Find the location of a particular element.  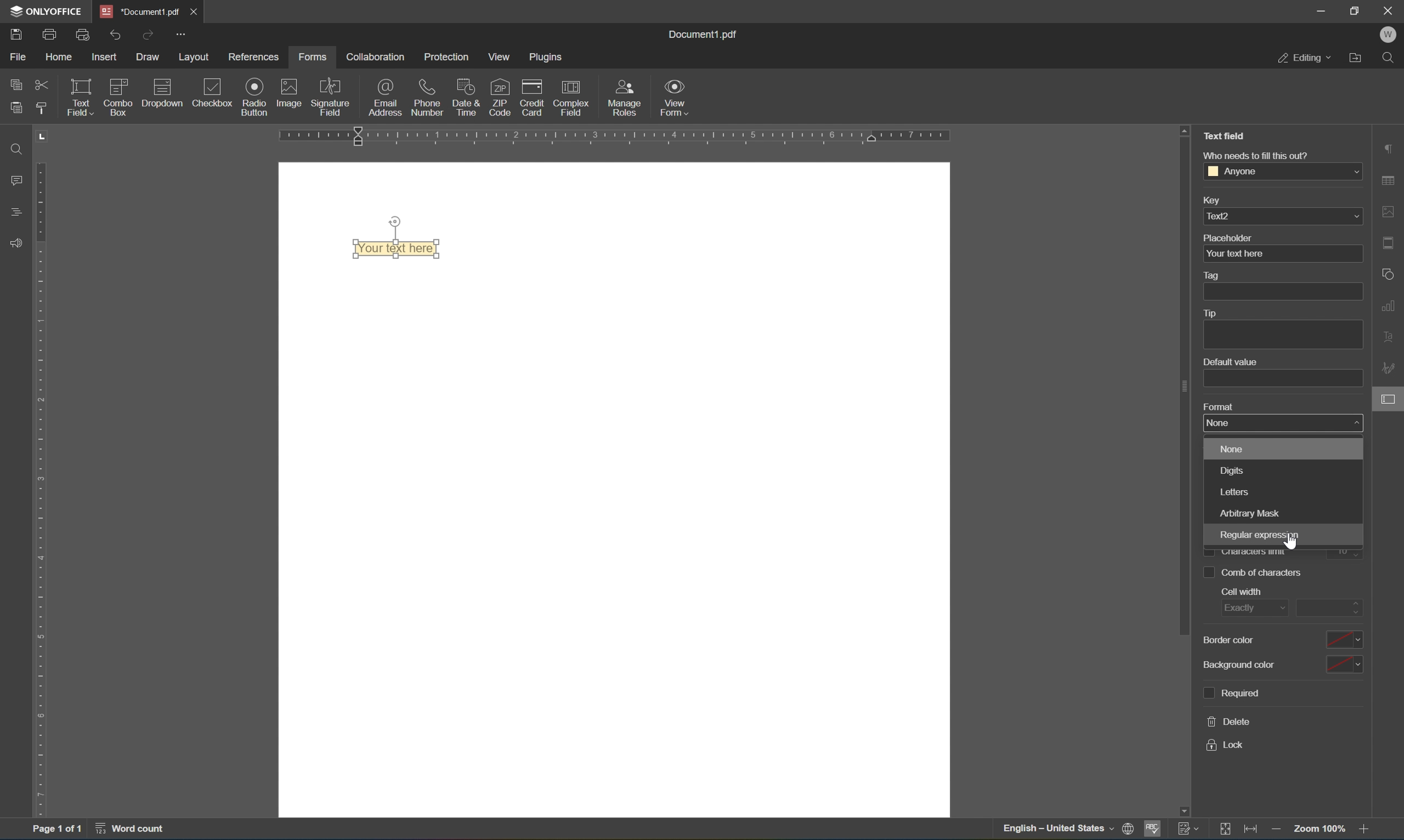

copy is located at coordinates (13, 84).